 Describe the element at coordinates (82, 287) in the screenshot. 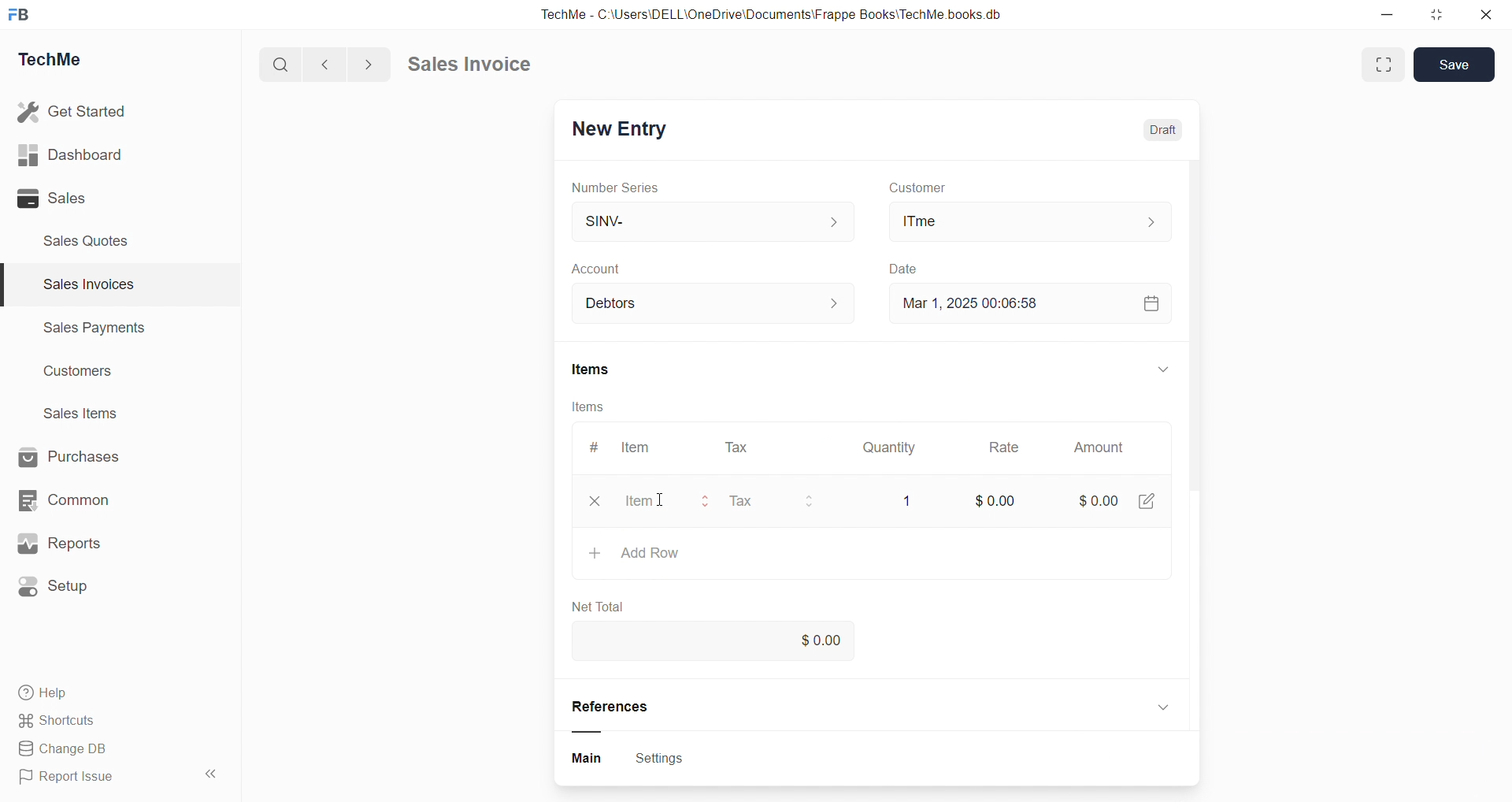

I see `Sales Invoices` at that location.